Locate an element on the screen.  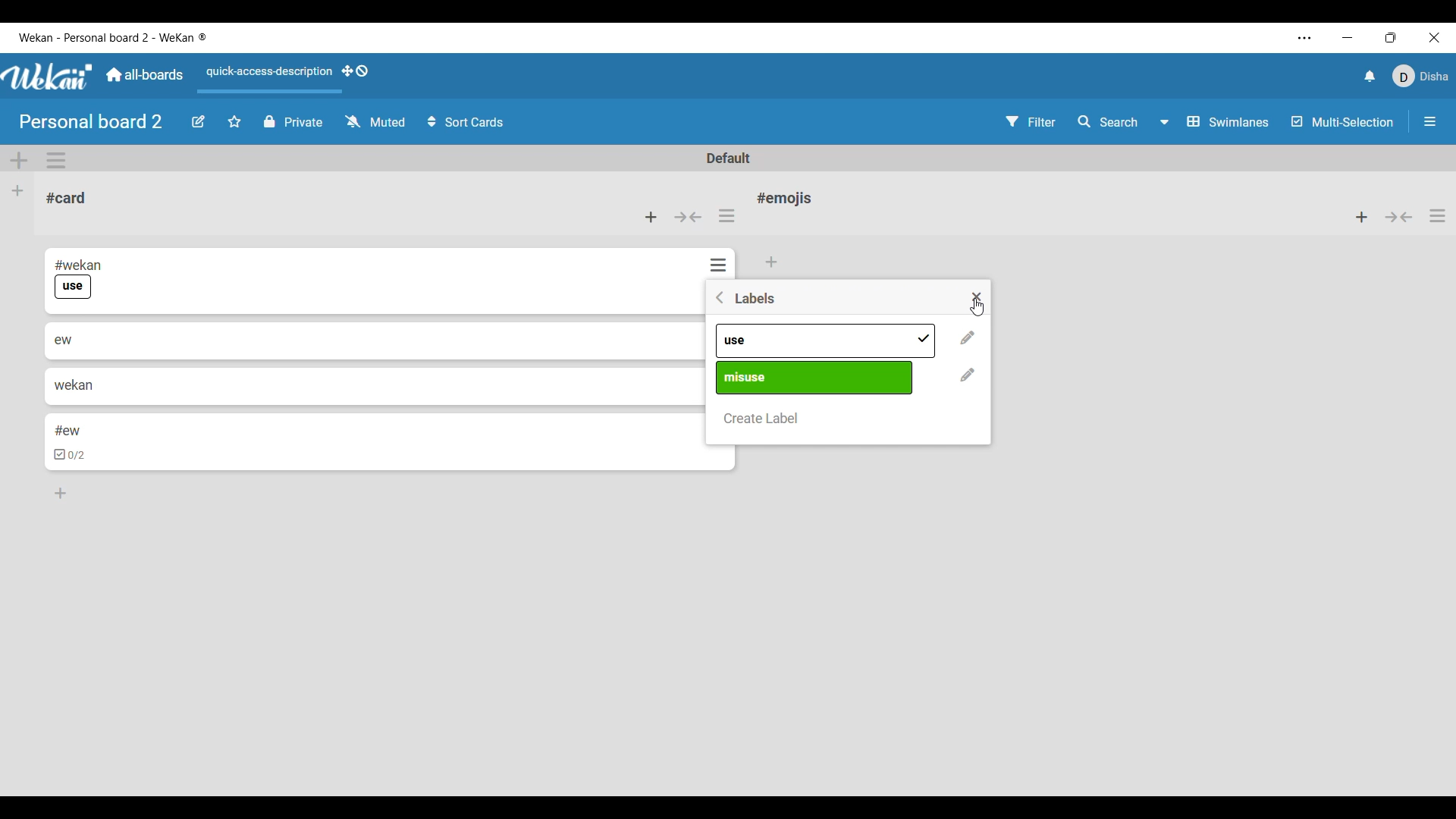
wekan is located at coordinates (74, 385).